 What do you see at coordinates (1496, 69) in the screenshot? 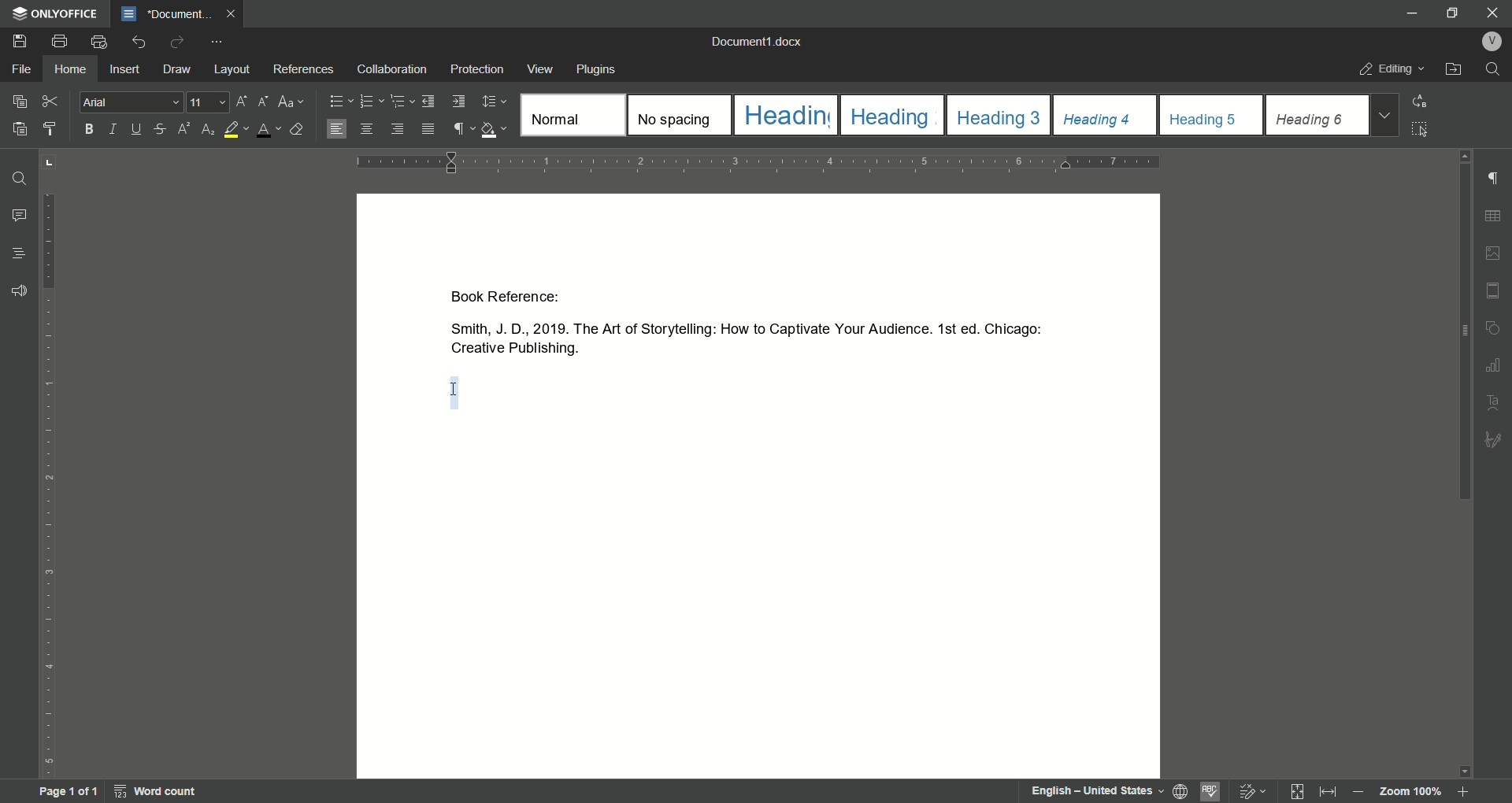
I see `find` at bounding box center [1496, 69].